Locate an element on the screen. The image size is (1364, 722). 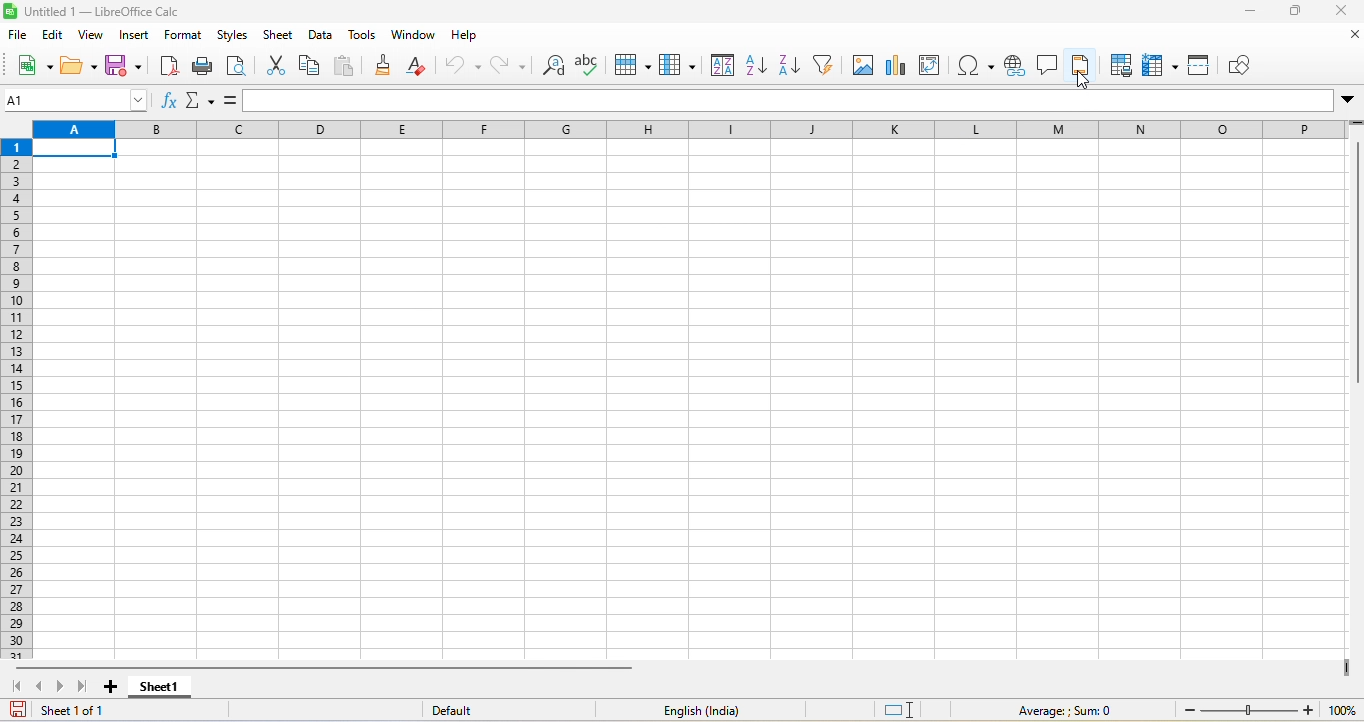
close is located at coordinates (1338, 14).